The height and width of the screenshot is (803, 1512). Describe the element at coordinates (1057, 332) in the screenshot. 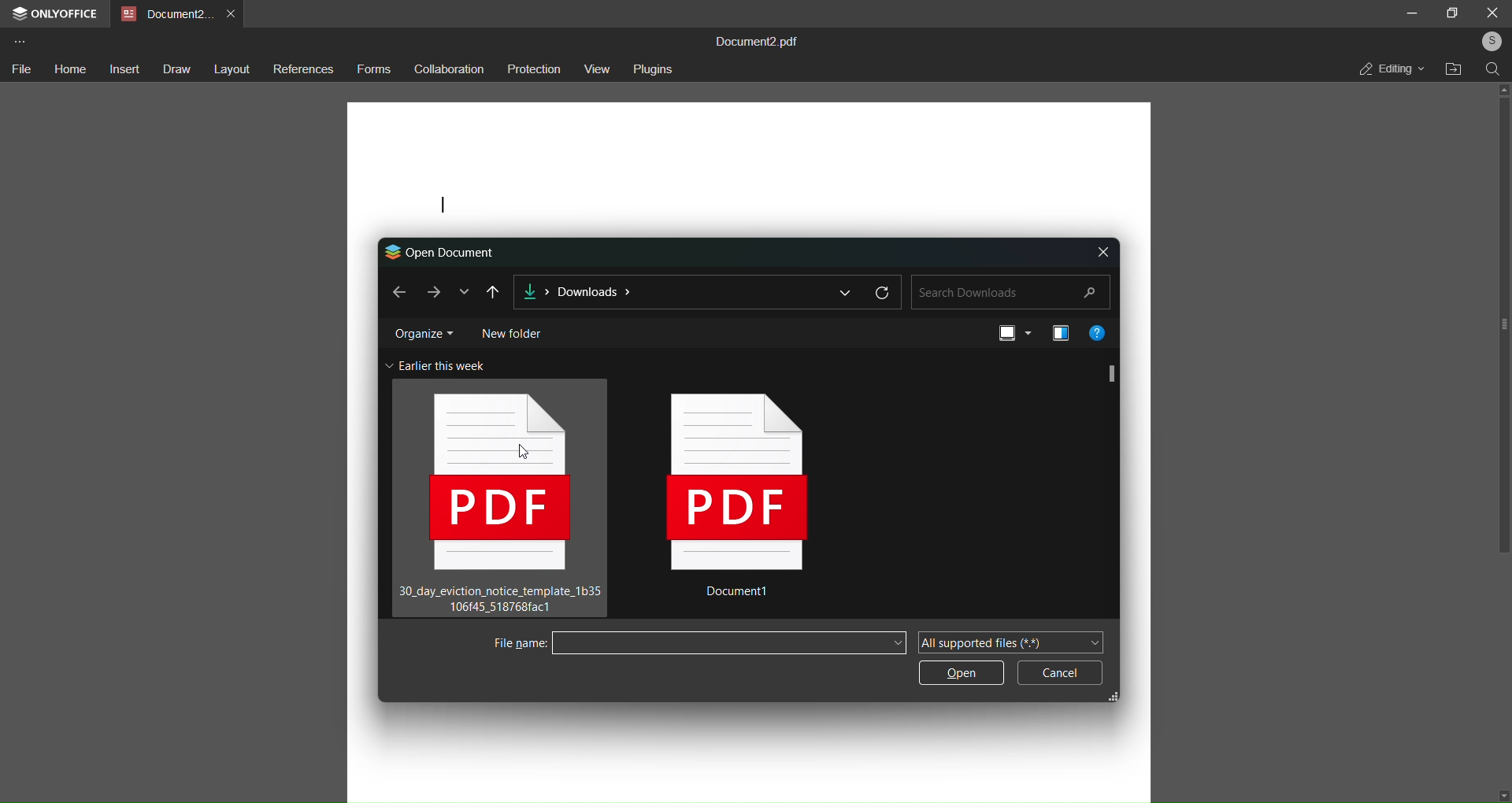

I see `preview` at that location.